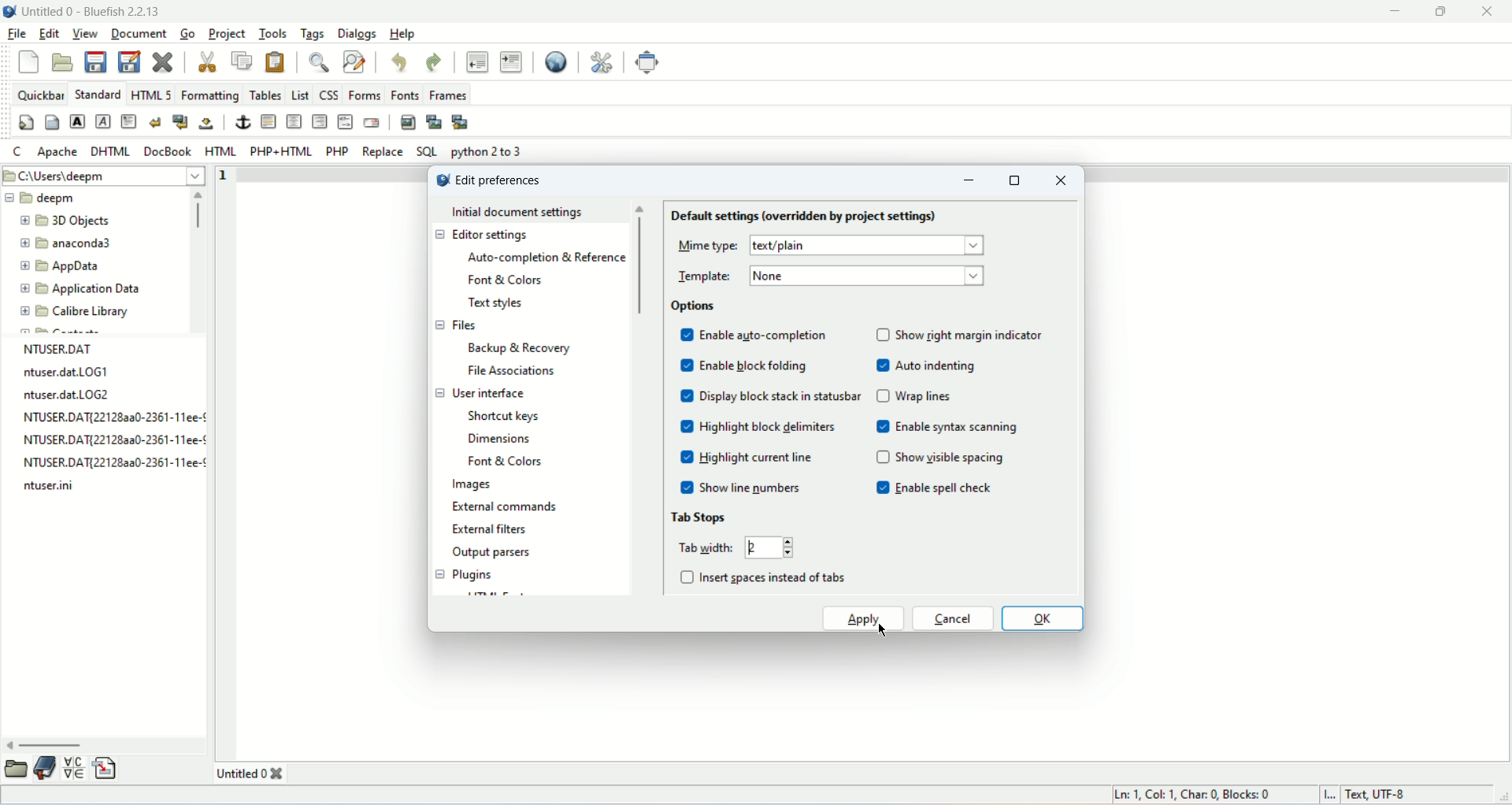  I want to click on none, so click(774, 276).